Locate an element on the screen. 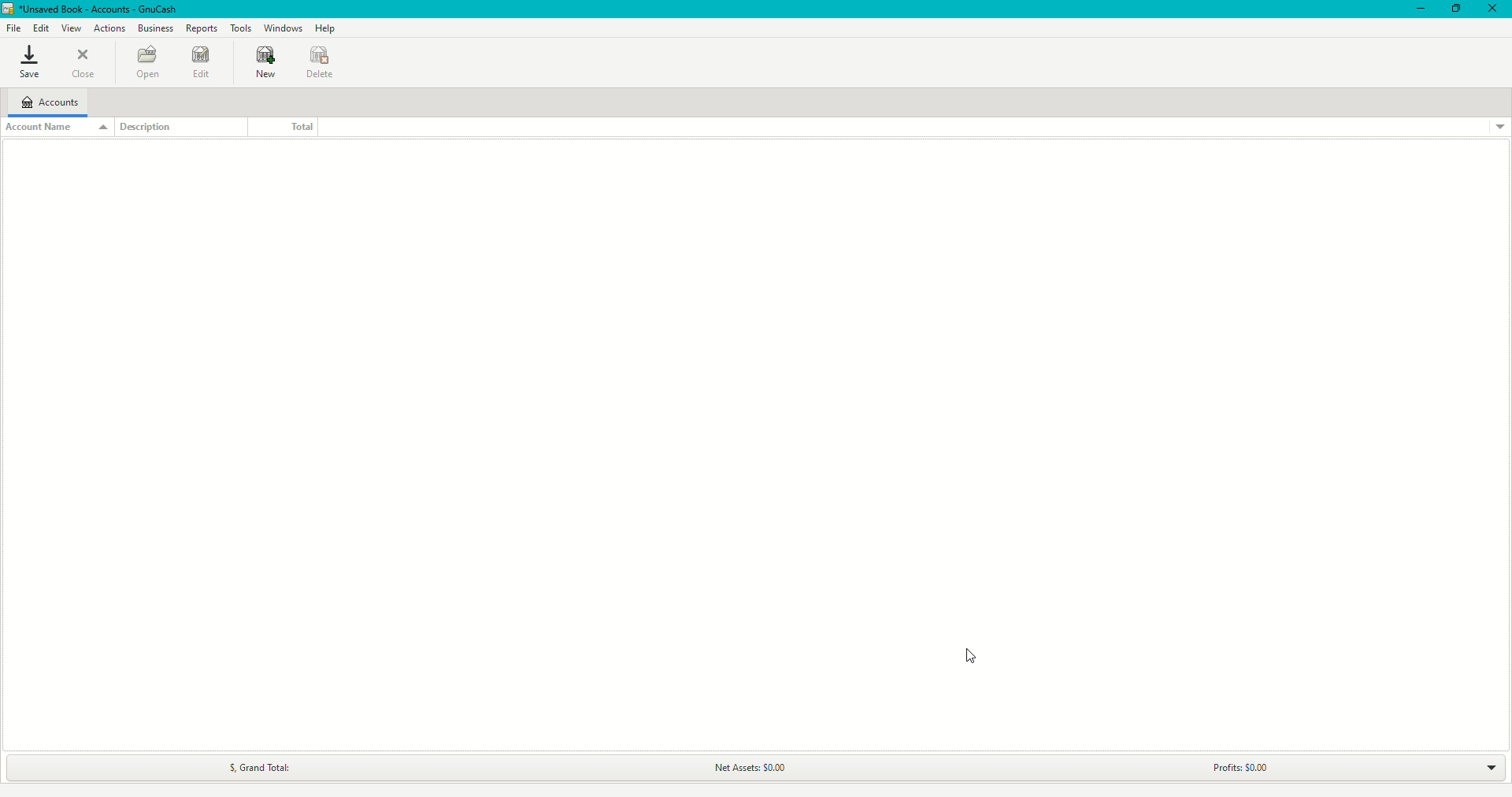  Close is located at coordinates (1493, 9).